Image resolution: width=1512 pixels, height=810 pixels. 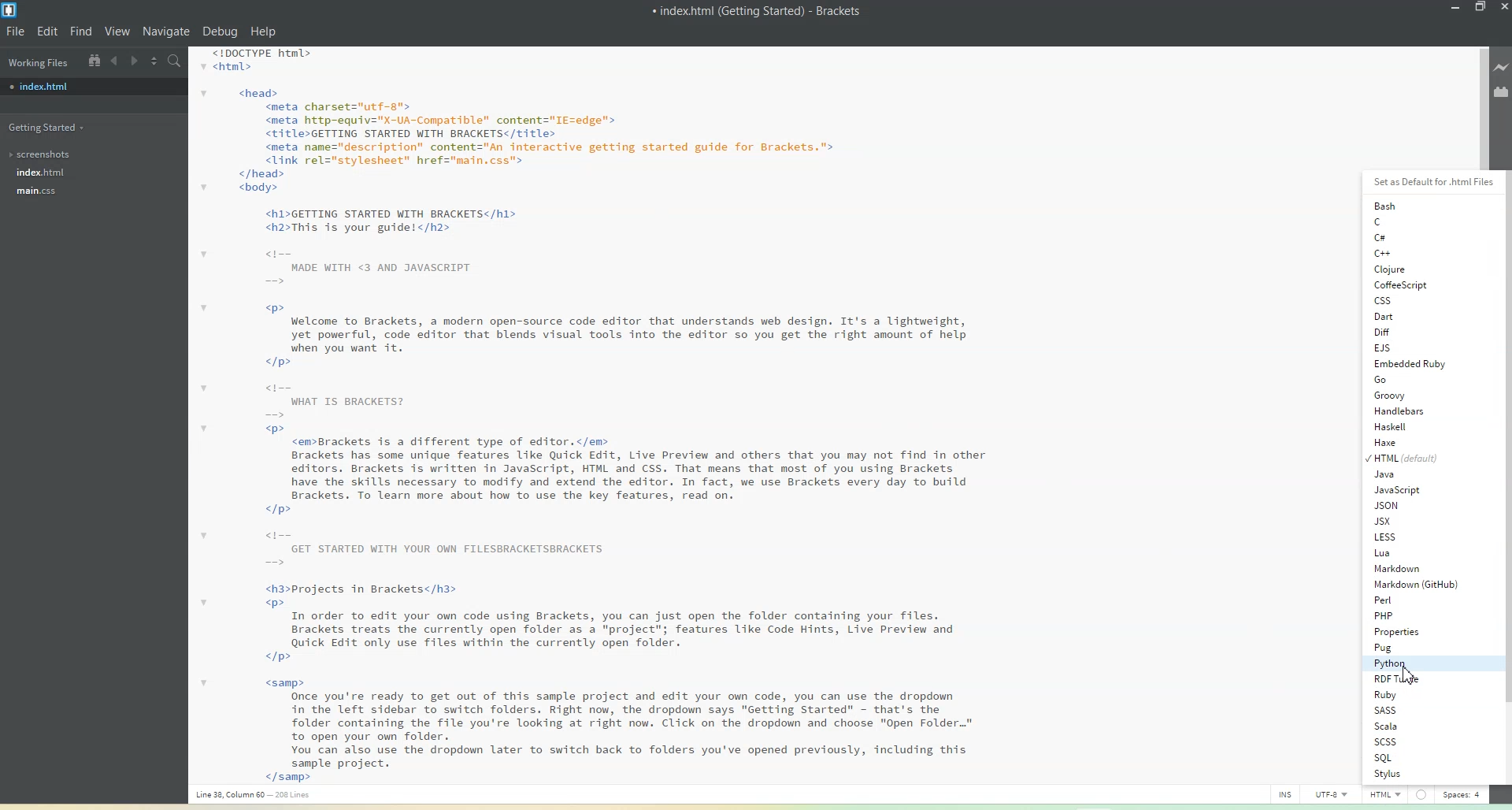 I want to click on Spaces, so click(x=1462, y=794).